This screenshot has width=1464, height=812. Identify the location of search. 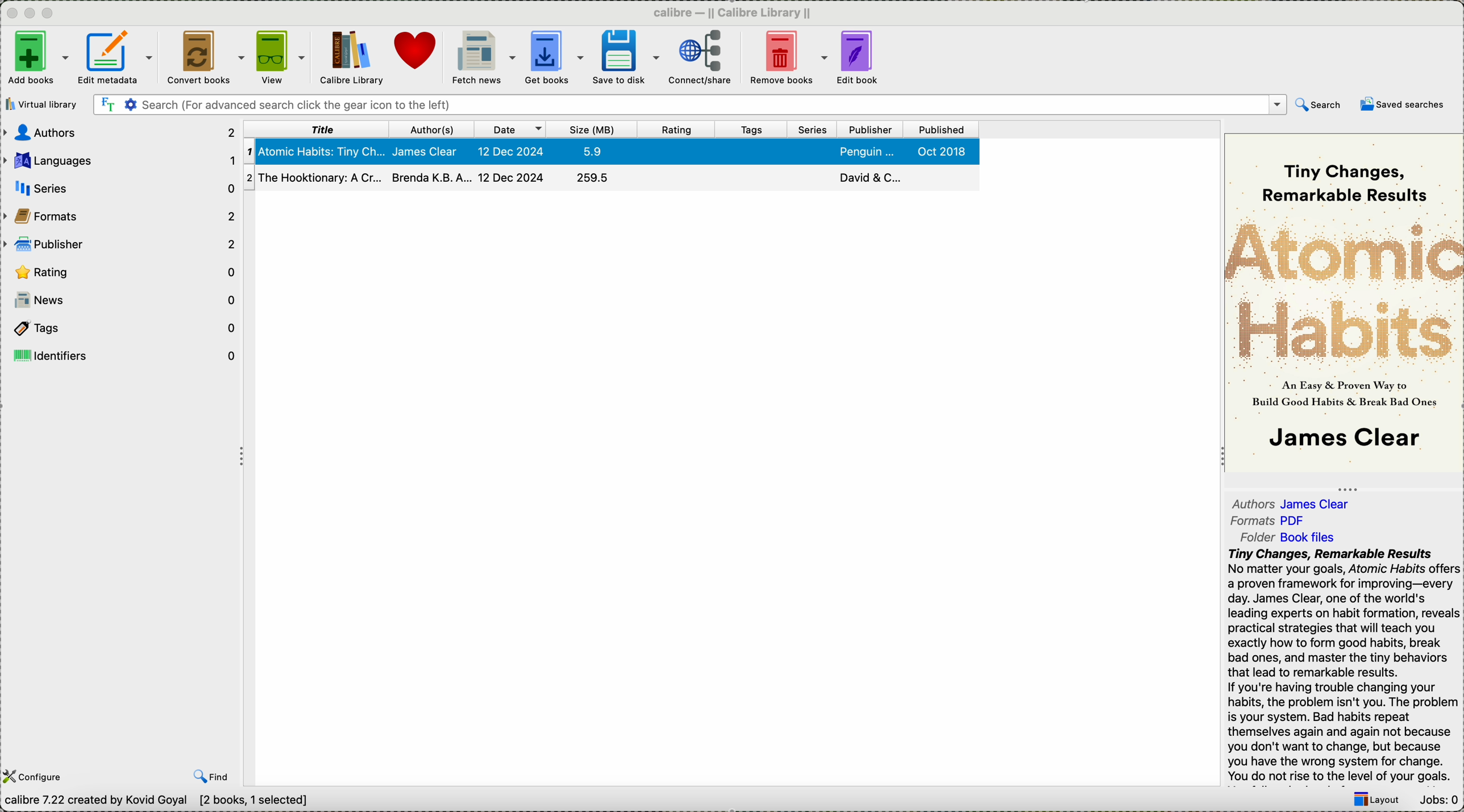
(1317, 104).